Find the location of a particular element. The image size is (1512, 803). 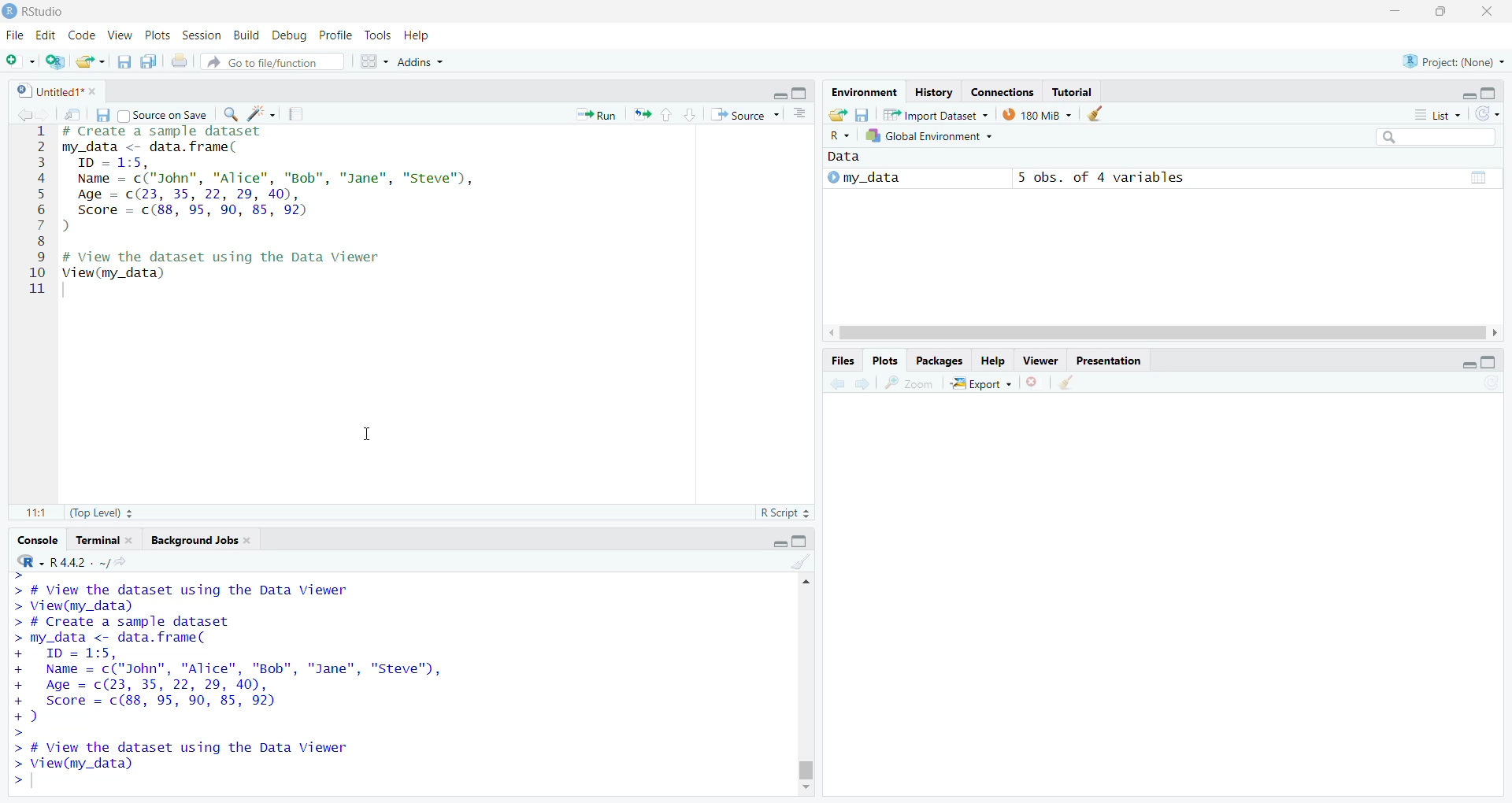

Session is located at coordinates (203, 36).